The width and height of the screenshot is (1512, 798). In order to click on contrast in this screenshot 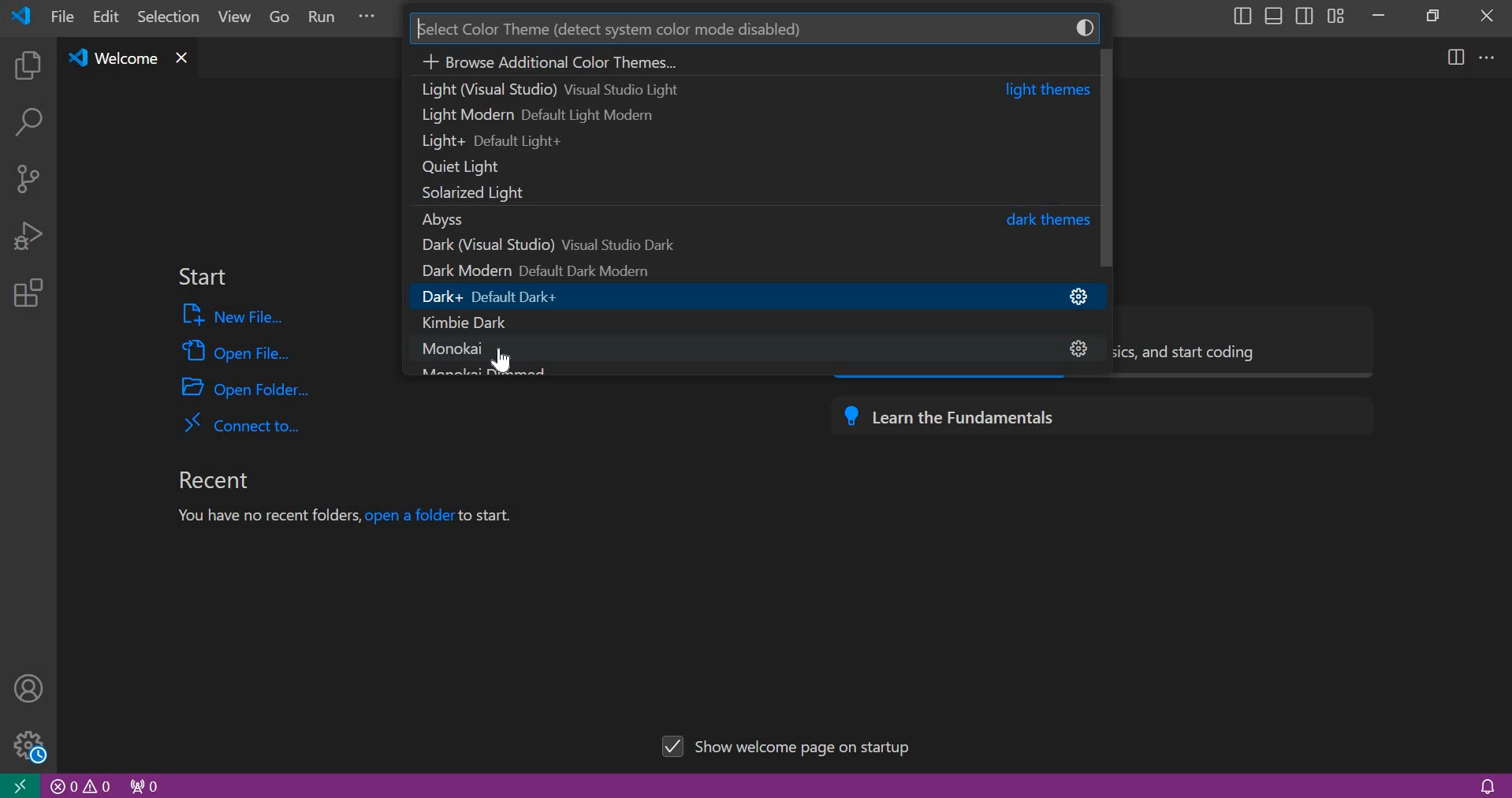, I will do `click(1089, 26)`.